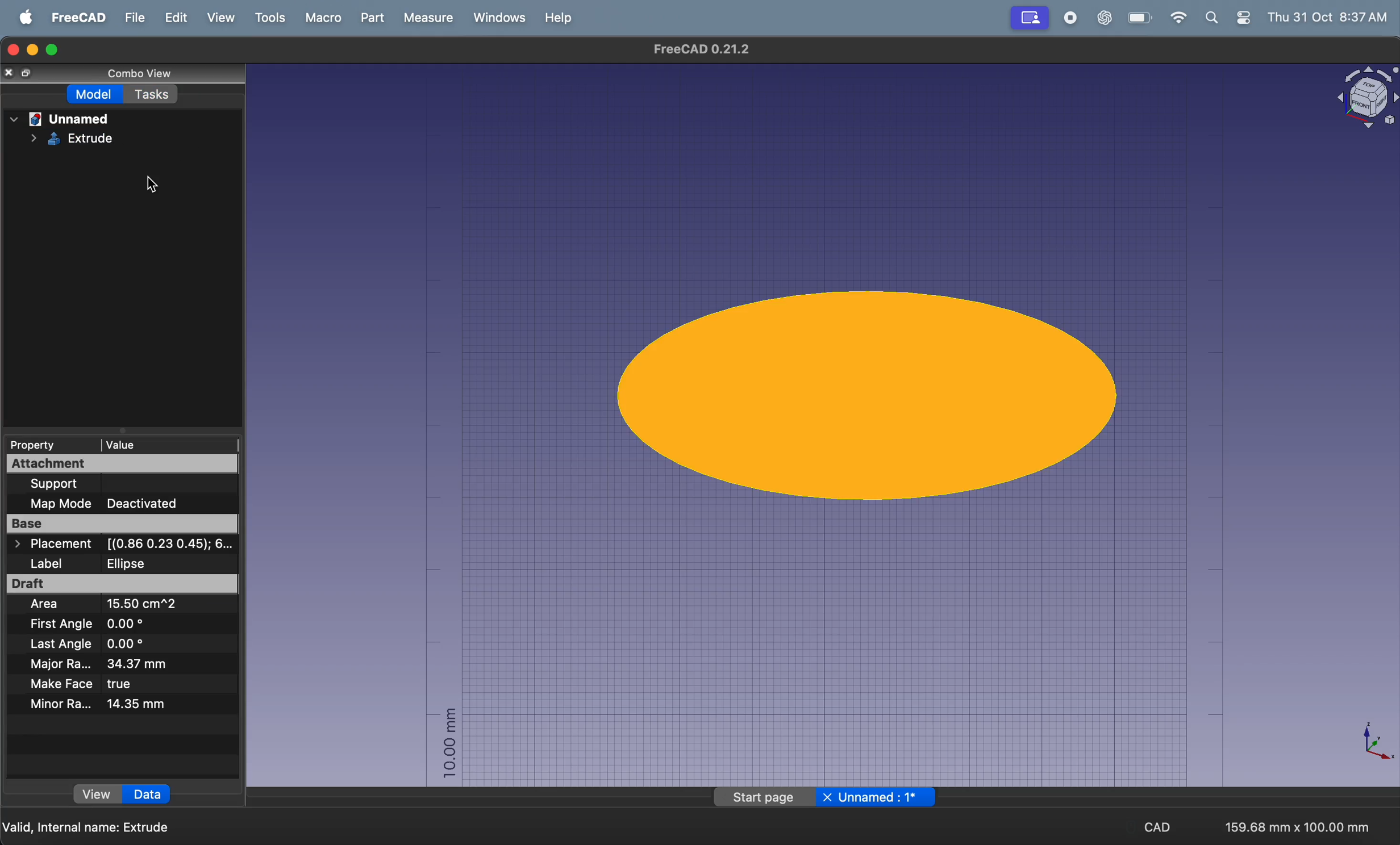 Image resolution: width=1400 pixels, height=845 pixels. I want to click on major radius, so click(116, 664).